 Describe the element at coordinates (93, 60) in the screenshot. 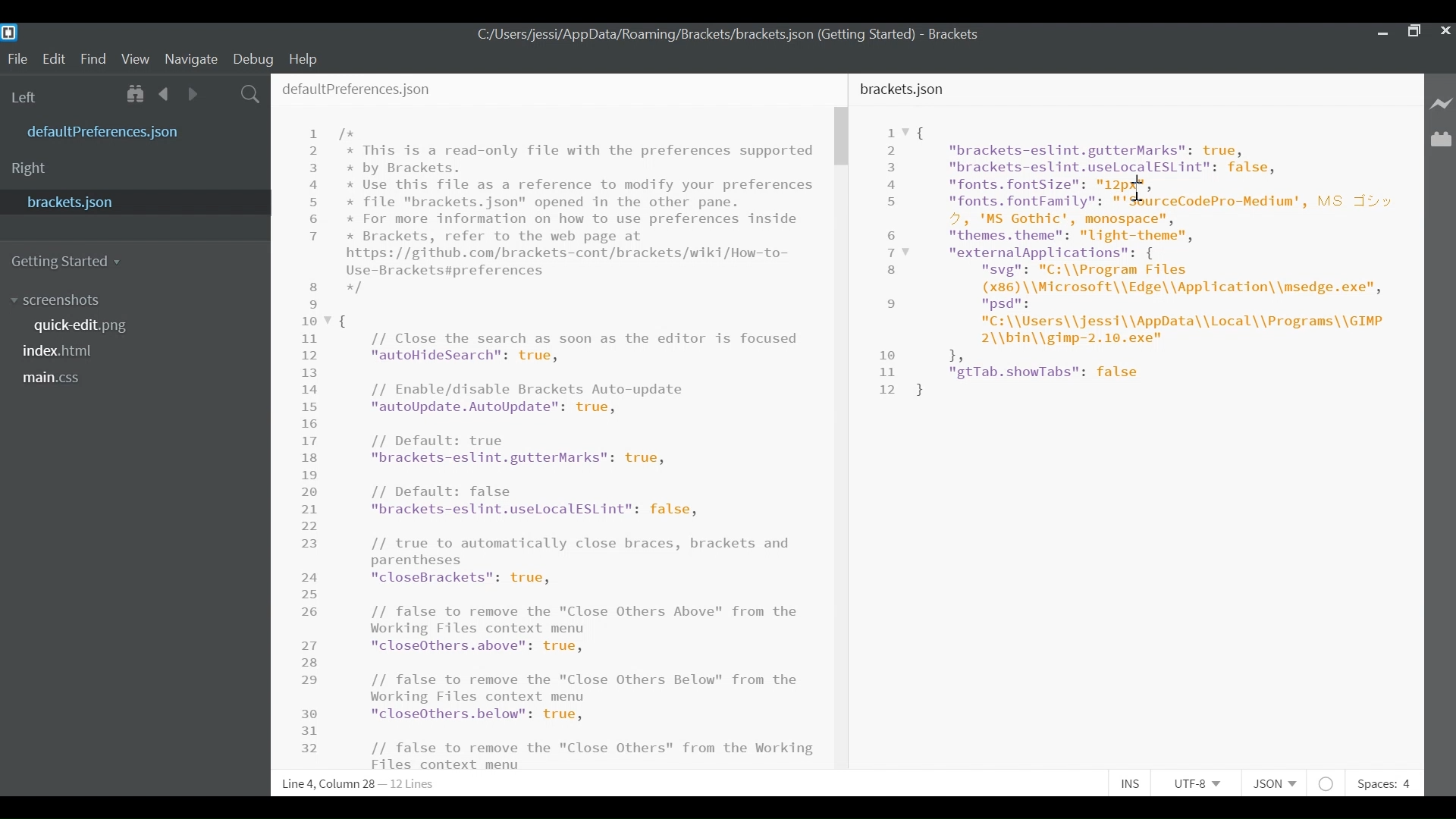

I see `Find` at that location.